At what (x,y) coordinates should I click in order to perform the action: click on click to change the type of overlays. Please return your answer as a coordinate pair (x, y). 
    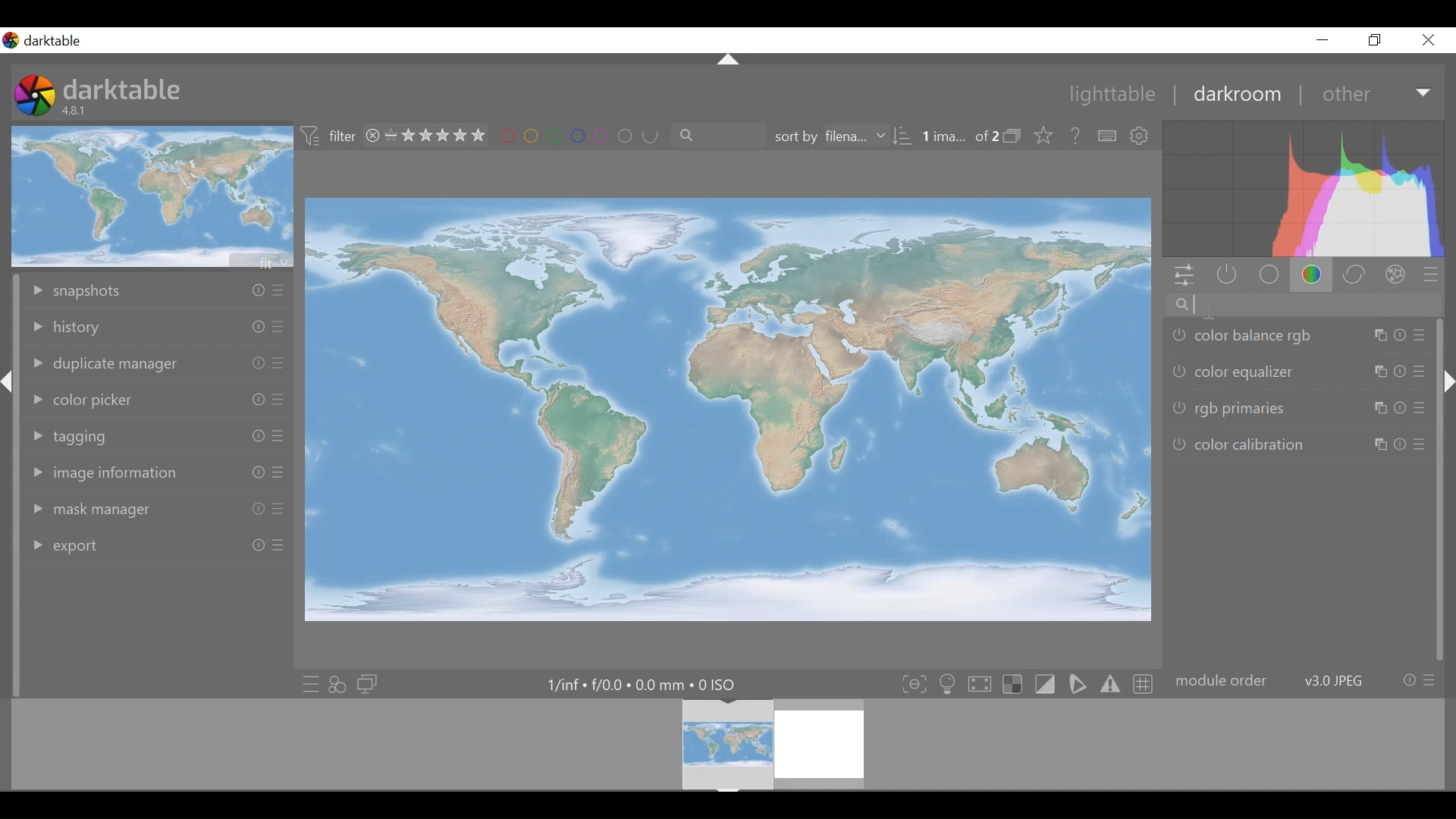
    Looking at the image, I should click on (1046, 134).